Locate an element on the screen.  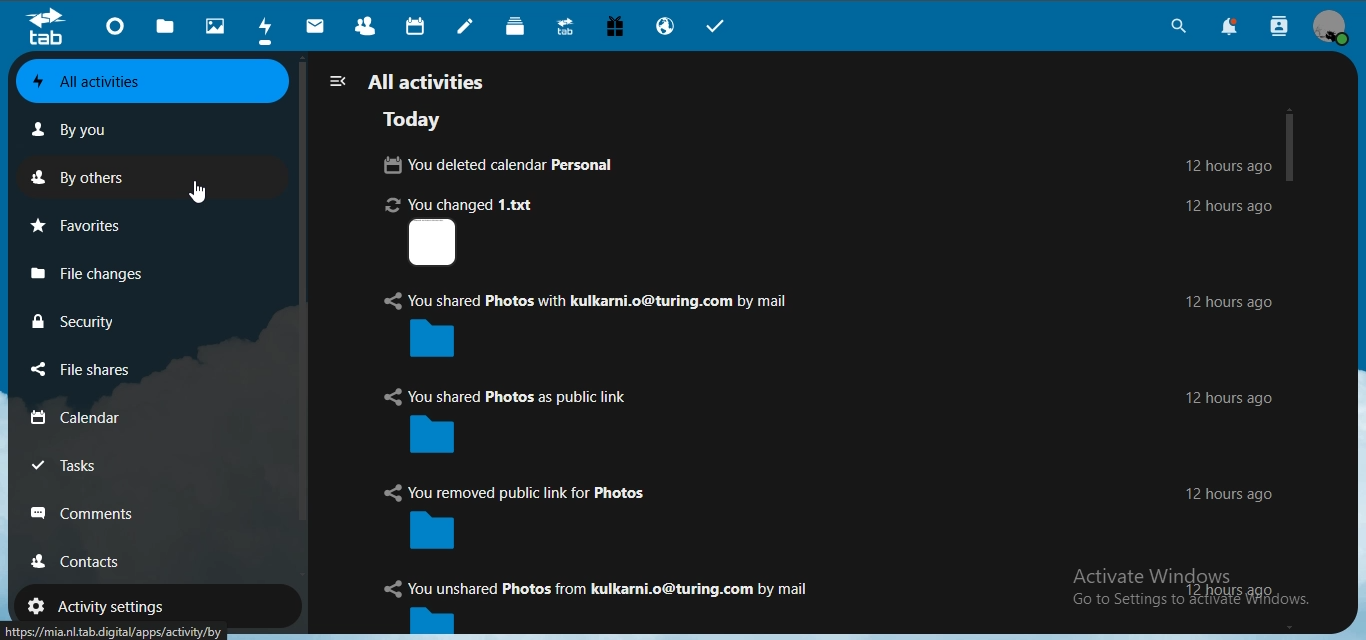
mail is located at coordinates (315, 25).